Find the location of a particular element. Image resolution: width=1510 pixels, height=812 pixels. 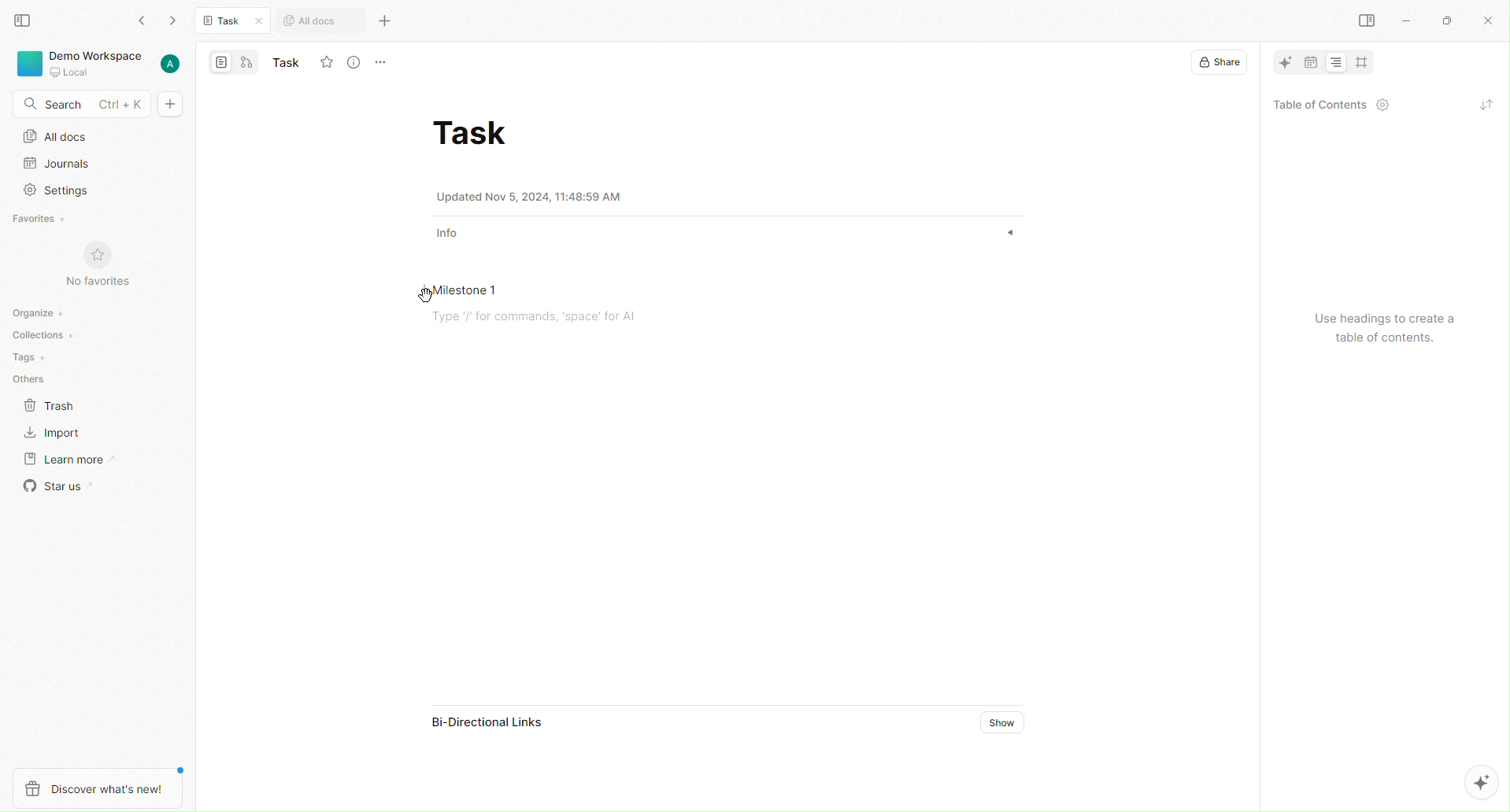

Organize is located at coordinates (34, 312).